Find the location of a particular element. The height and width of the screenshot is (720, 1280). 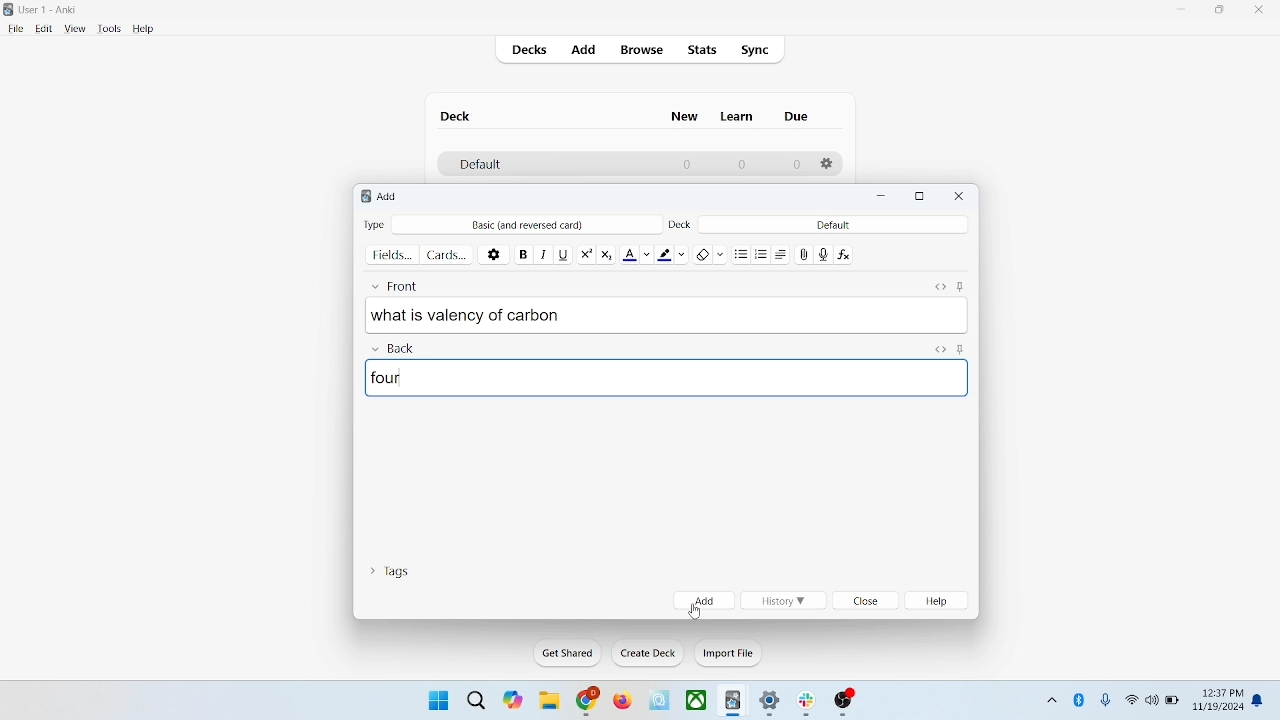

deck is located at coordinates (682, 223).